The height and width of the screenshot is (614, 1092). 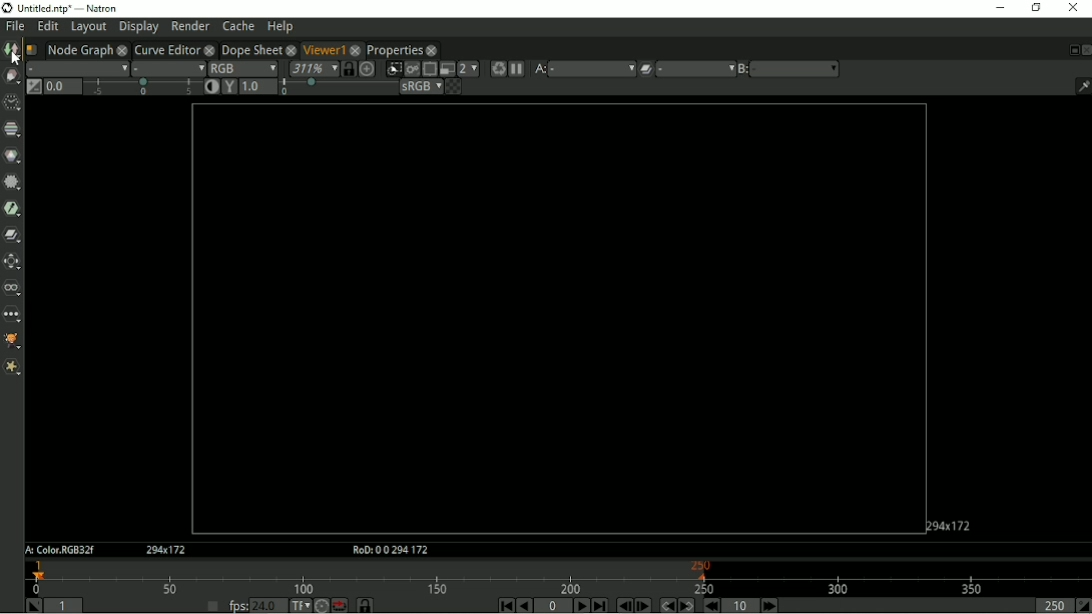 I want to click on Set playback in point at the current frame, so click(x=31, y=605).